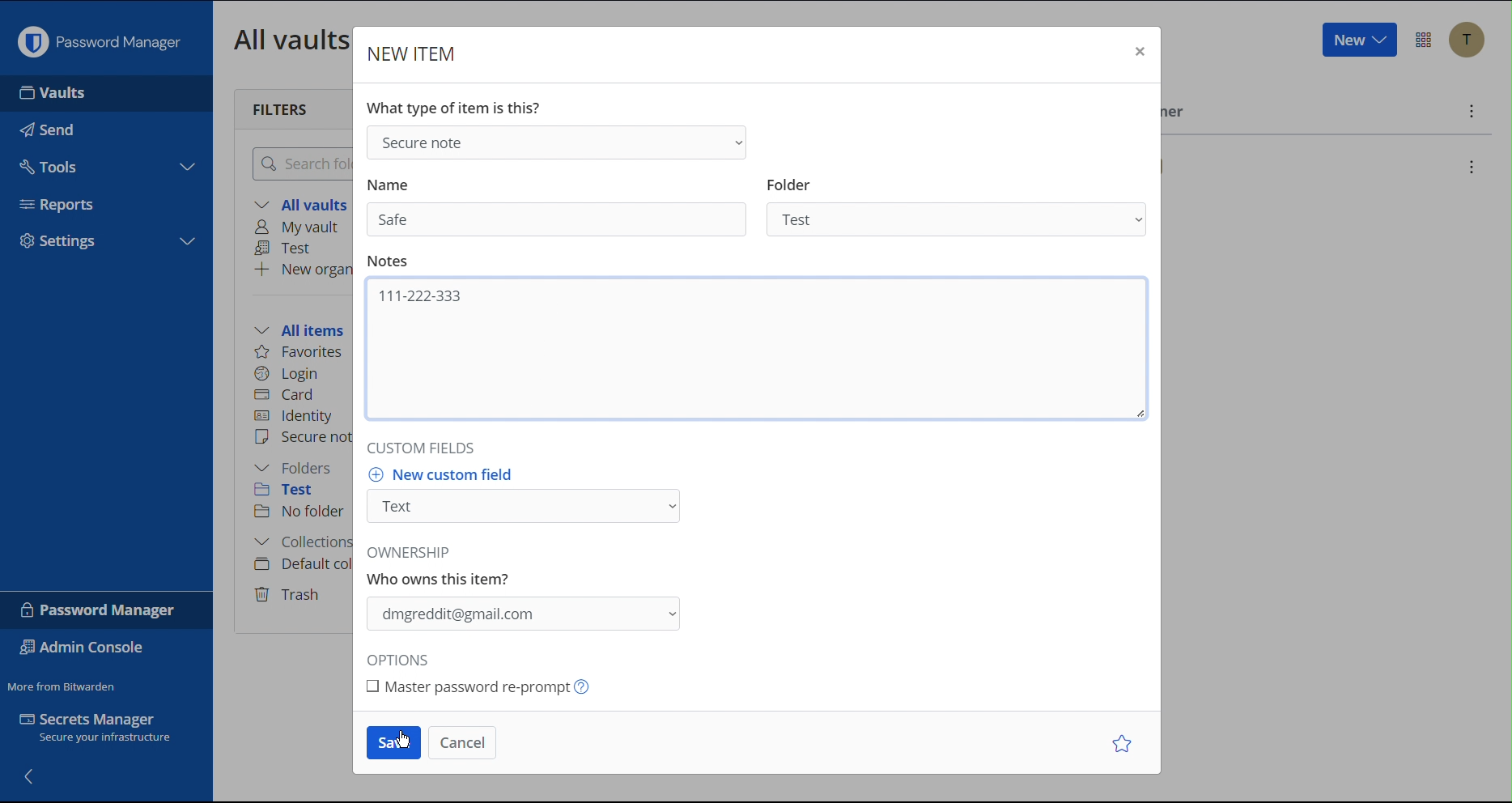 Image resolution: width=1512 pixels, height=803 pixels. Describe the element at coordinates (60, 243) in the screenshot. I see `Settings` at that location.